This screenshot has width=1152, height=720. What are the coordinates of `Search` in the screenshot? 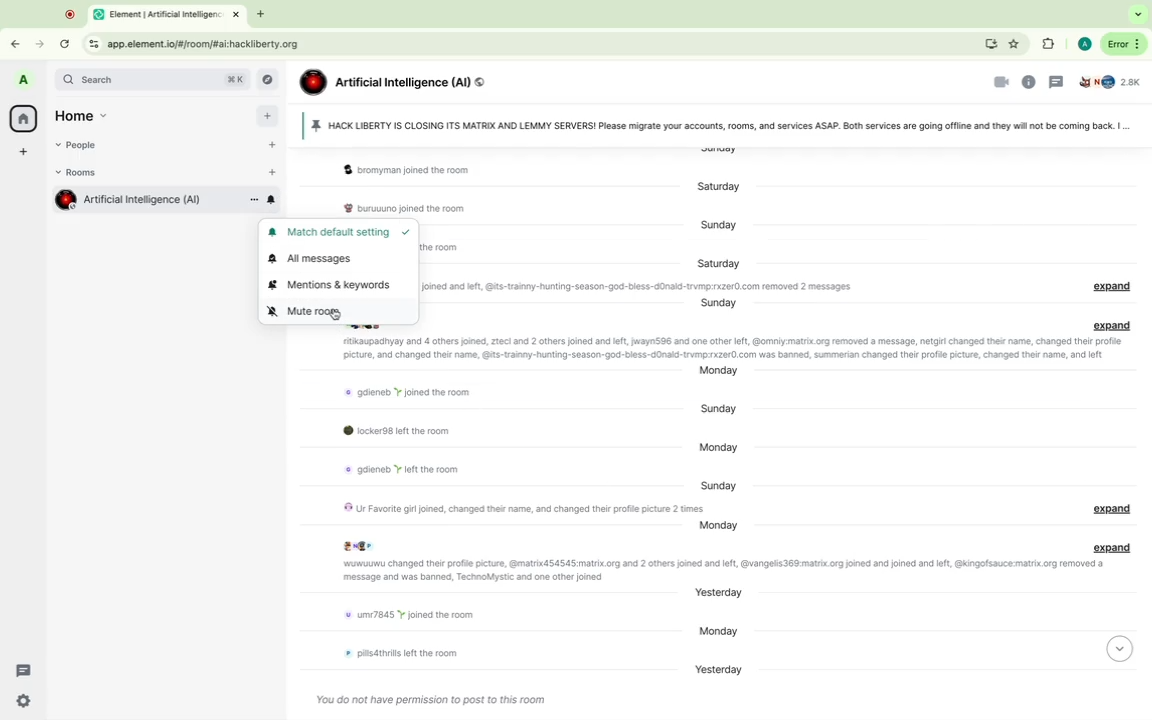 It's located at (153, 81).